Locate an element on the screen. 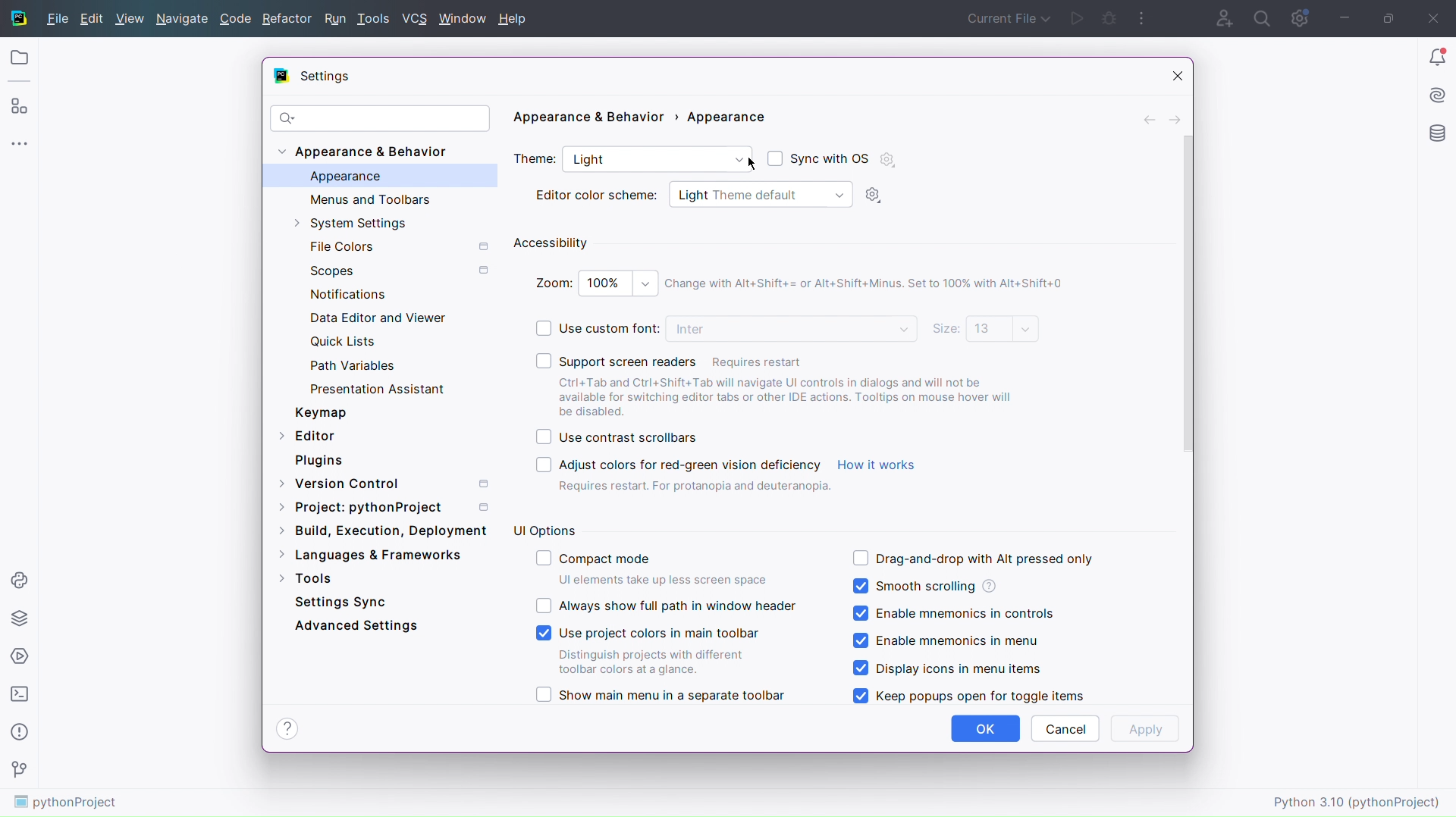  View is located at coordinates (130, 18).